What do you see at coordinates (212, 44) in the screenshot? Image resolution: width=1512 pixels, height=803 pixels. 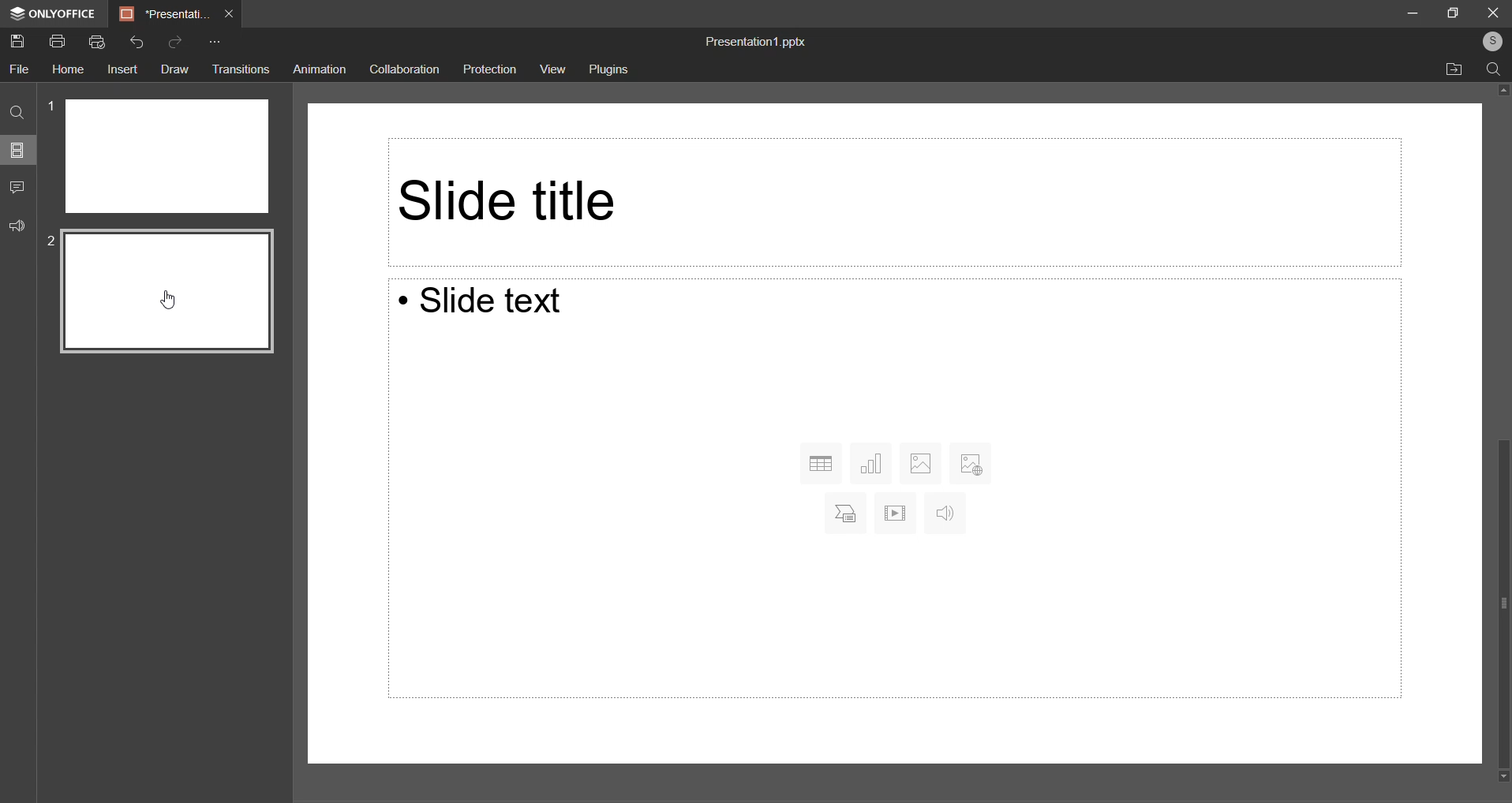 I see `Customize Quick Path` at bounding box center [212, 44].